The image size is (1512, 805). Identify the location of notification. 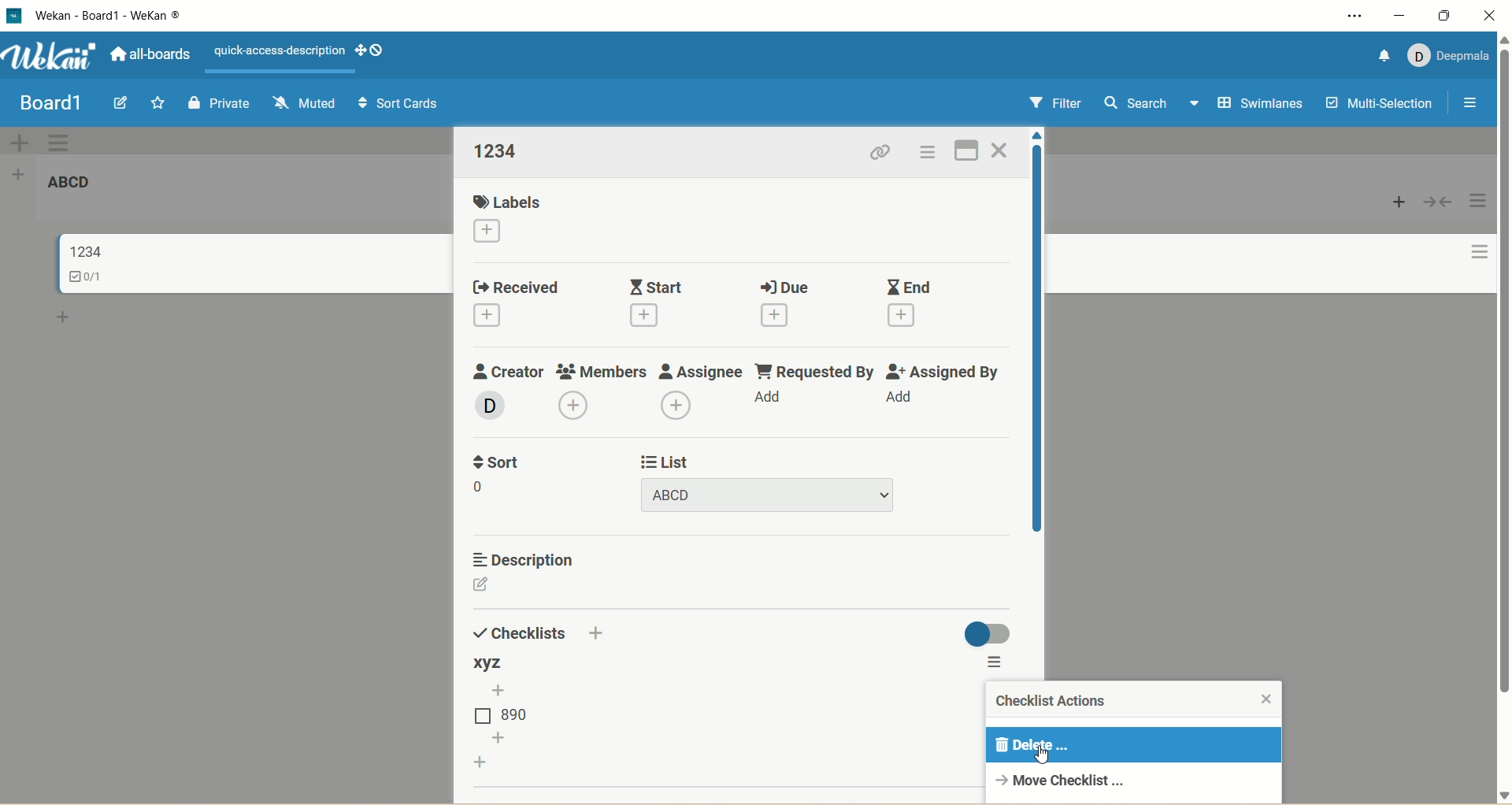
(1373, 57).